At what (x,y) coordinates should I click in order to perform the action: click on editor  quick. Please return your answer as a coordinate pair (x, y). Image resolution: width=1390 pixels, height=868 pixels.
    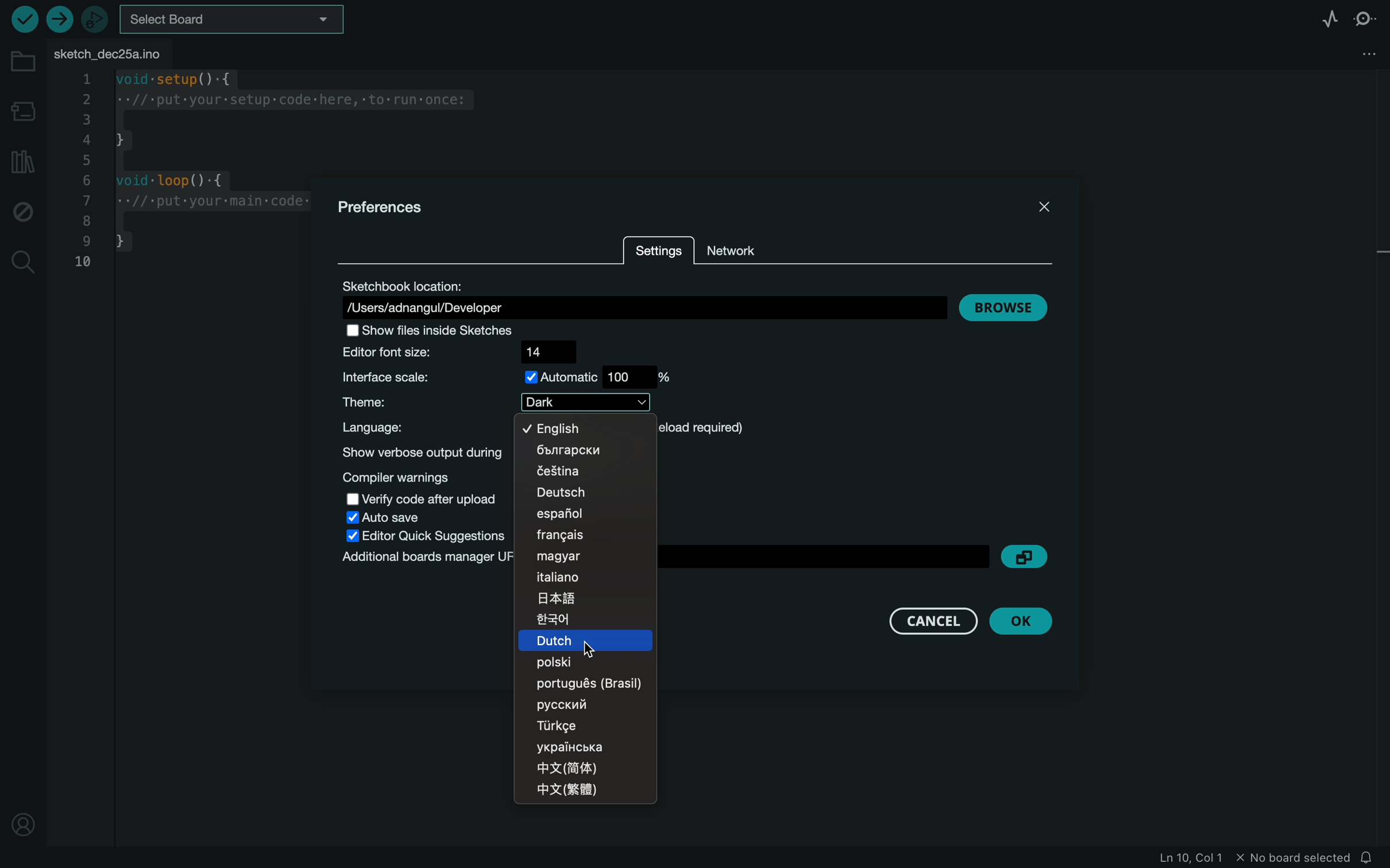
    Looking at the image, I should click on (431, 536).